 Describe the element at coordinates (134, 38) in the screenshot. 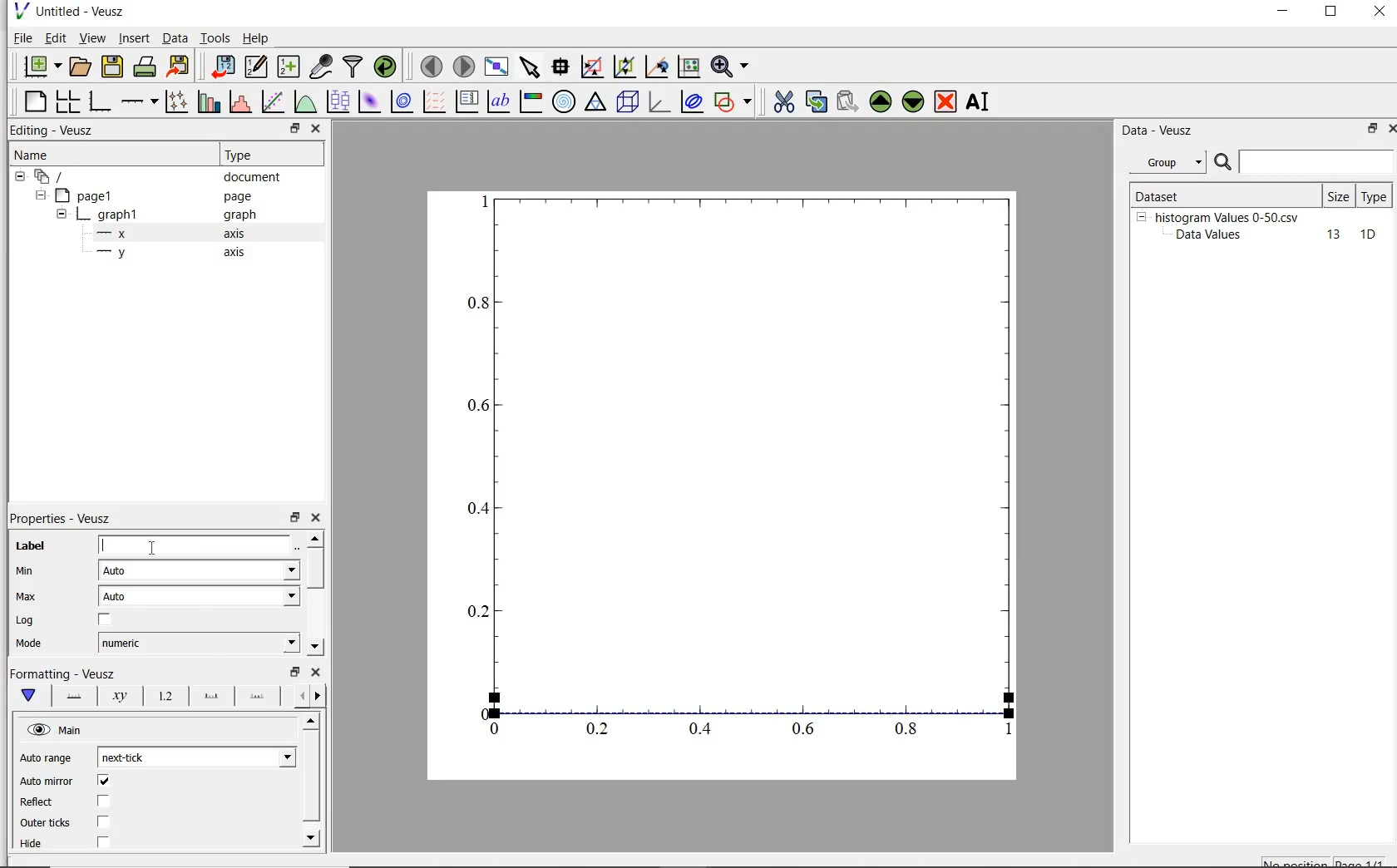

I see `insert` at that location.